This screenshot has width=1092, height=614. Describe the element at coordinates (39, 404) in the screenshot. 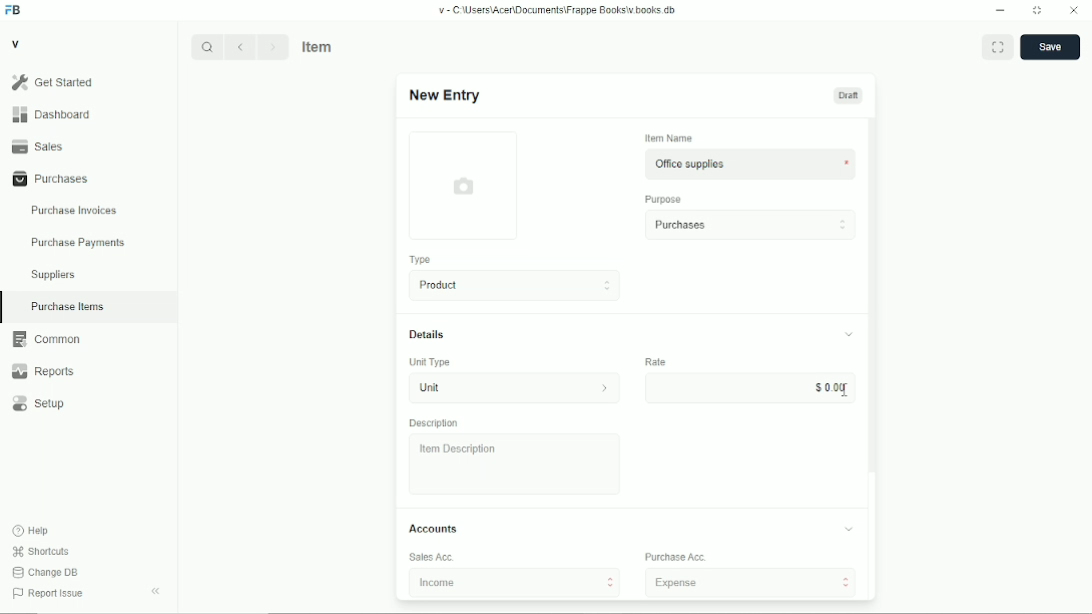

I see `setup` at that location.